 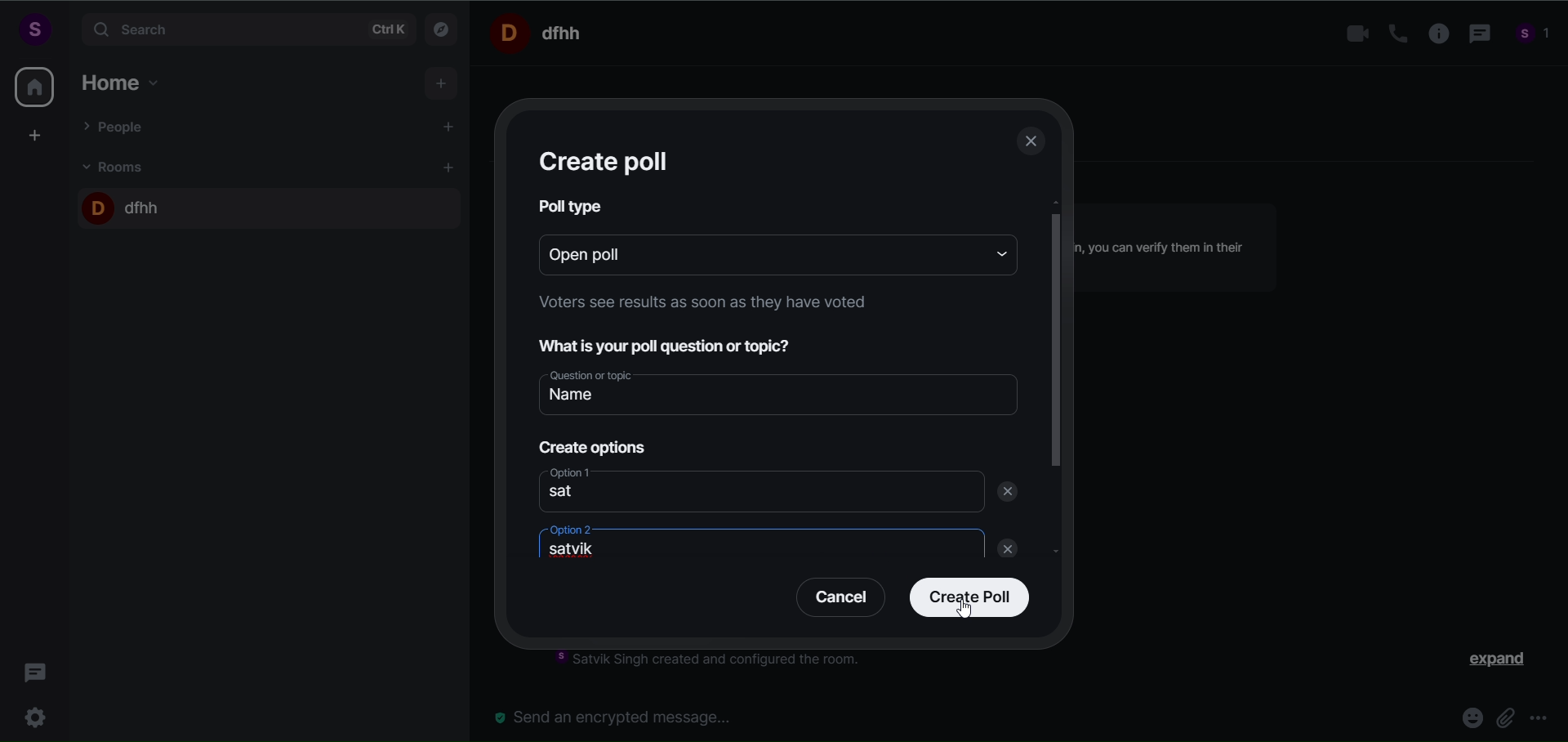 I want to click on start chat, so click(x=450, y=128).